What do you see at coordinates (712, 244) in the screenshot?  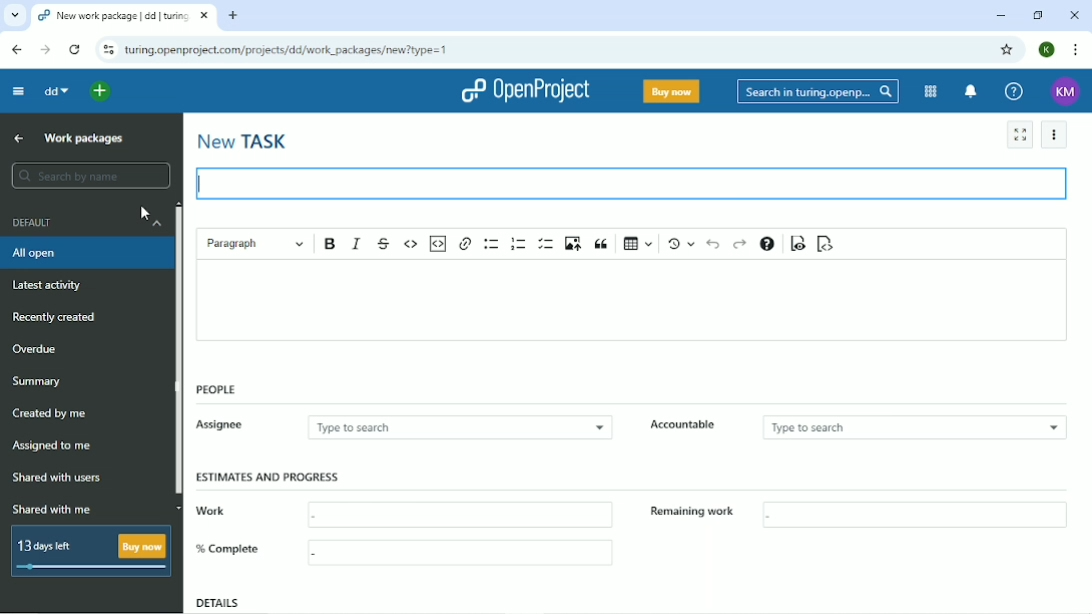 I see `Undo` at bounding box center [712, 244].